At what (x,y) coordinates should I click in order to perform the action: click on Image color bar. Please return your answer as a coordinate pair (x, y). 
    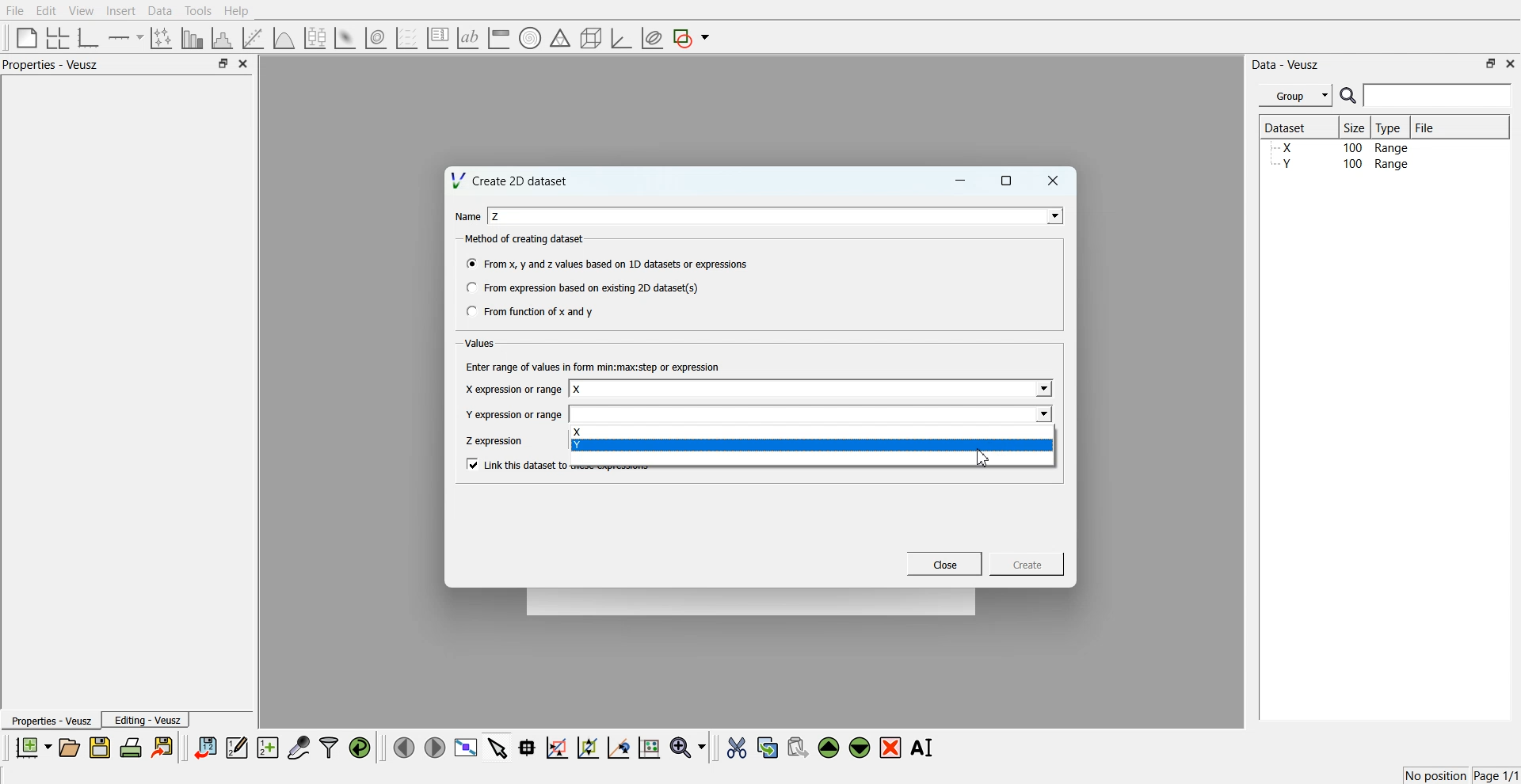
    Looking at the image, I should click on (499, 37).